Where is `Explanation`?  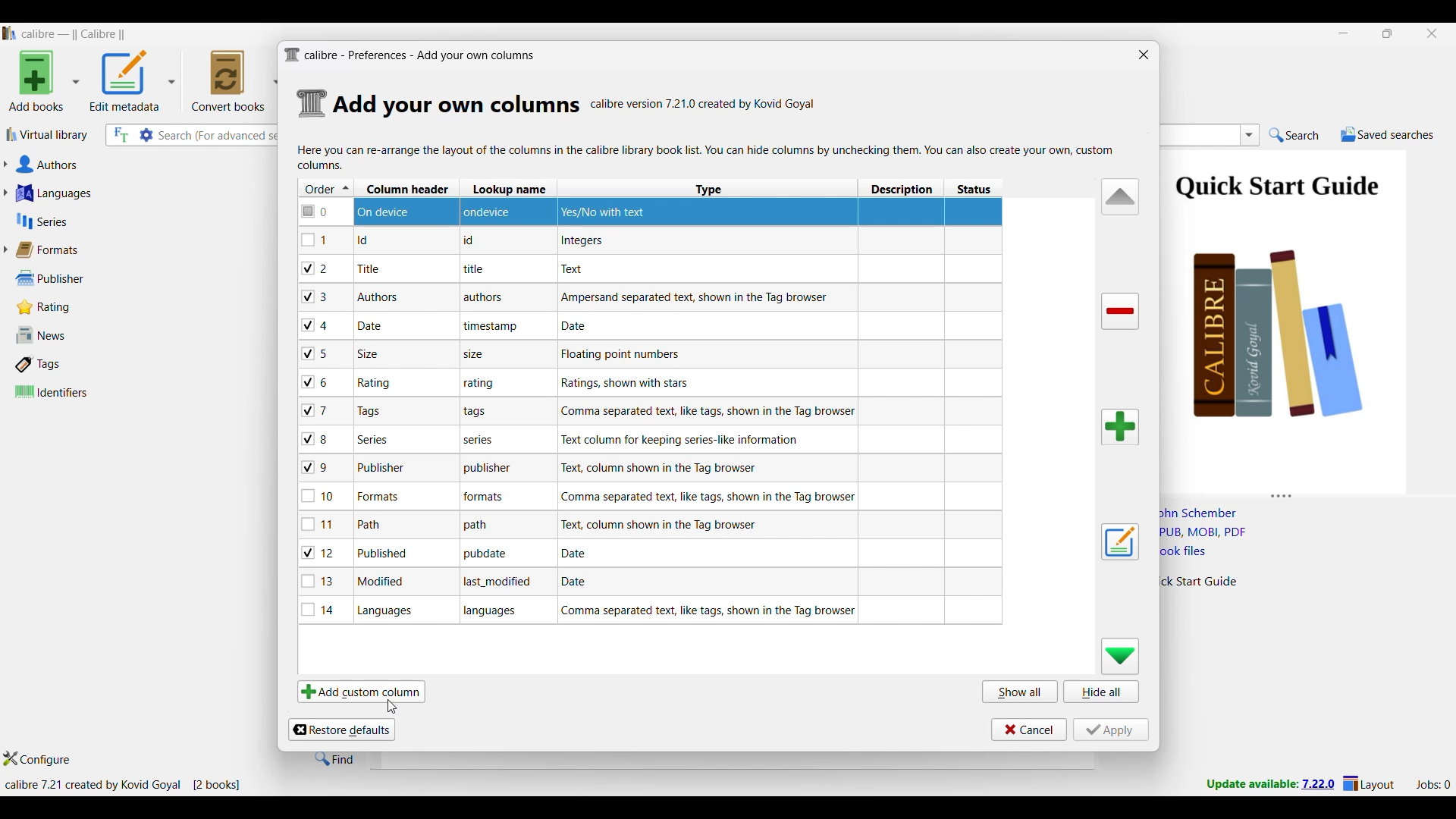
Explanation is located at coordinates (708, 496).